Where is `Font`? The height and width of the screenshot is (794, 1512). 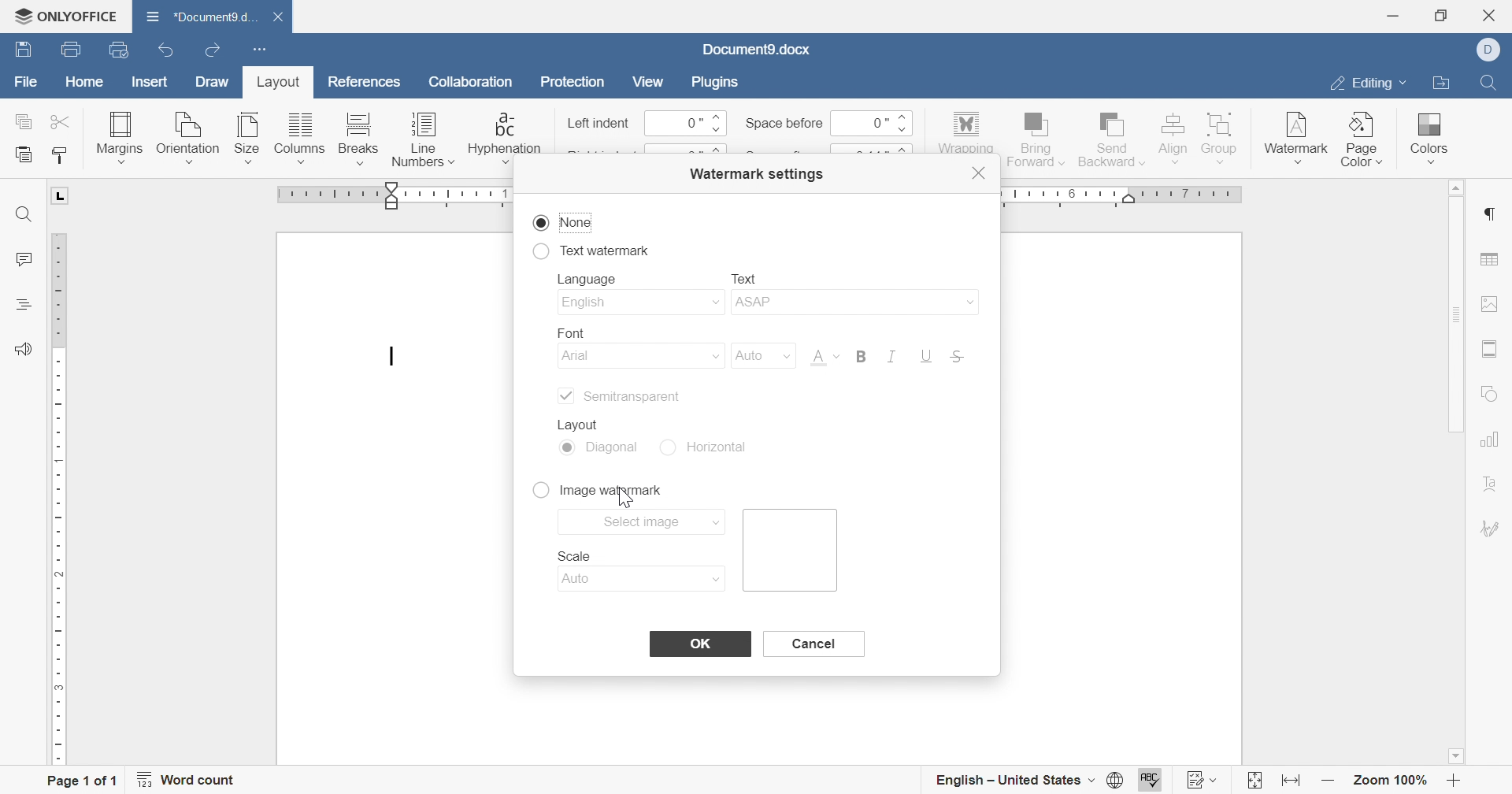
Font is located at coordinates (823, 359).